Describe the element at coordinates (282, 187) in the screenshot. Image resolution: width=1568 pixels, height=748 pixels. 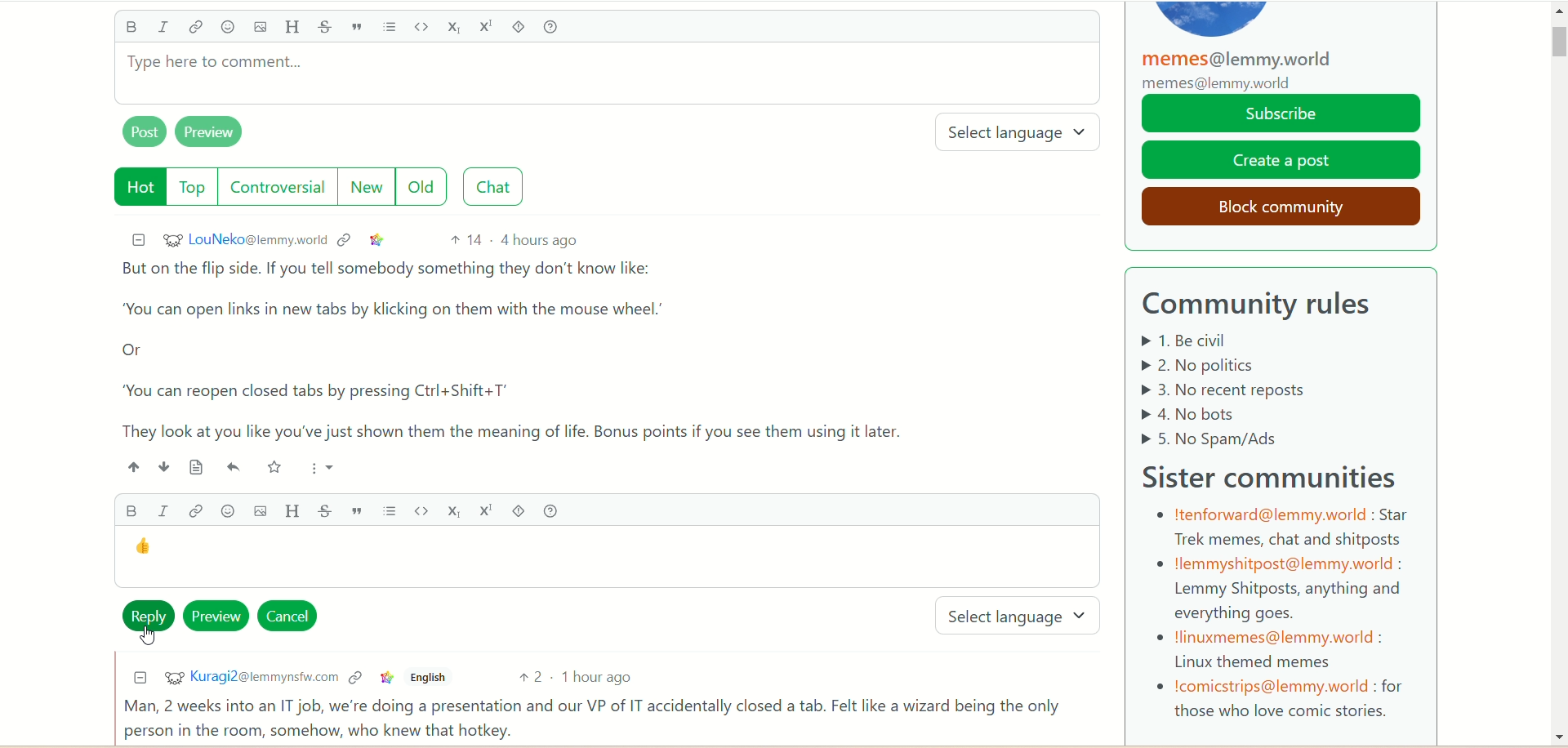
I see `controversial` at that location.